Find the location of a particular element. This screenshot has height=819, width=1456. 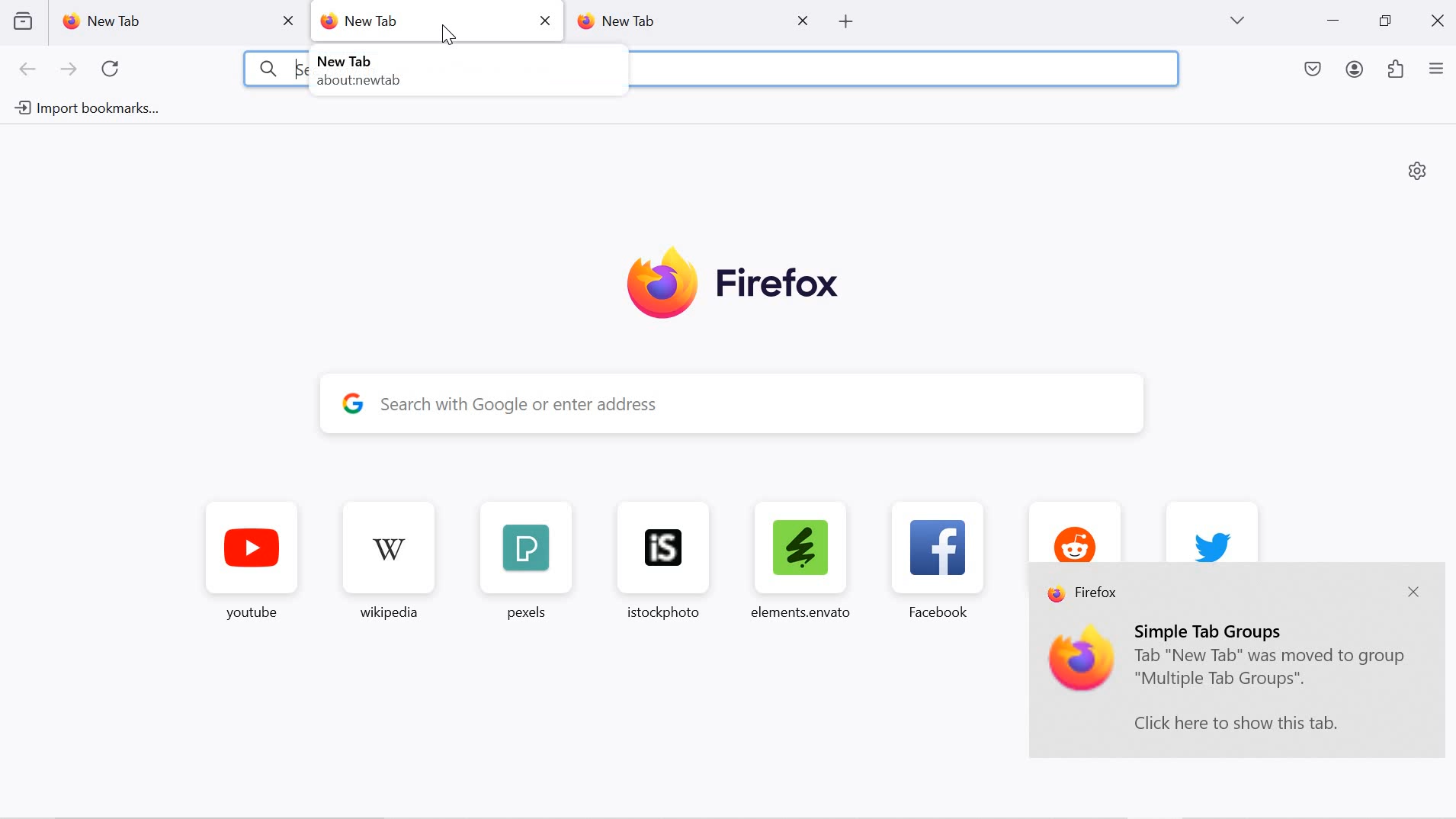

import bookmarks is located at coordinates (84, 109).